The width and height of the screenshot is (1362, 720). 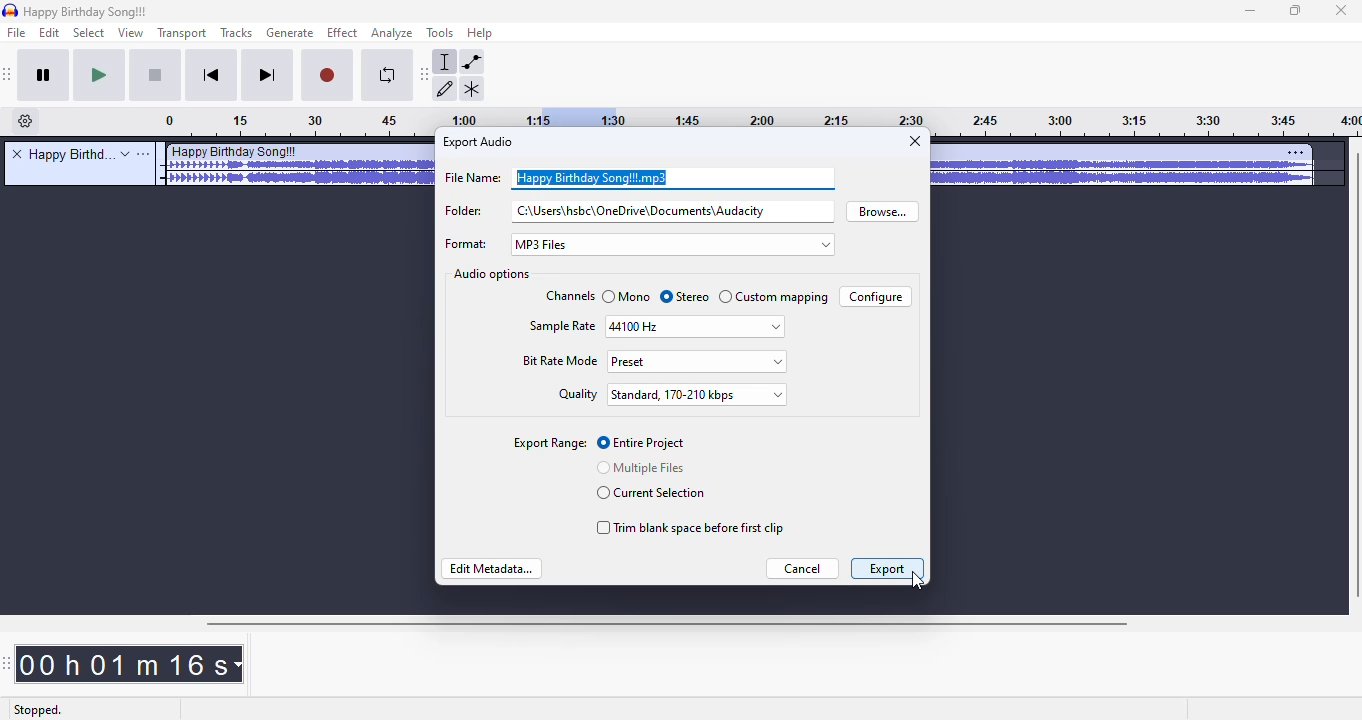 I want to click on export, so click(x=889, y=568).